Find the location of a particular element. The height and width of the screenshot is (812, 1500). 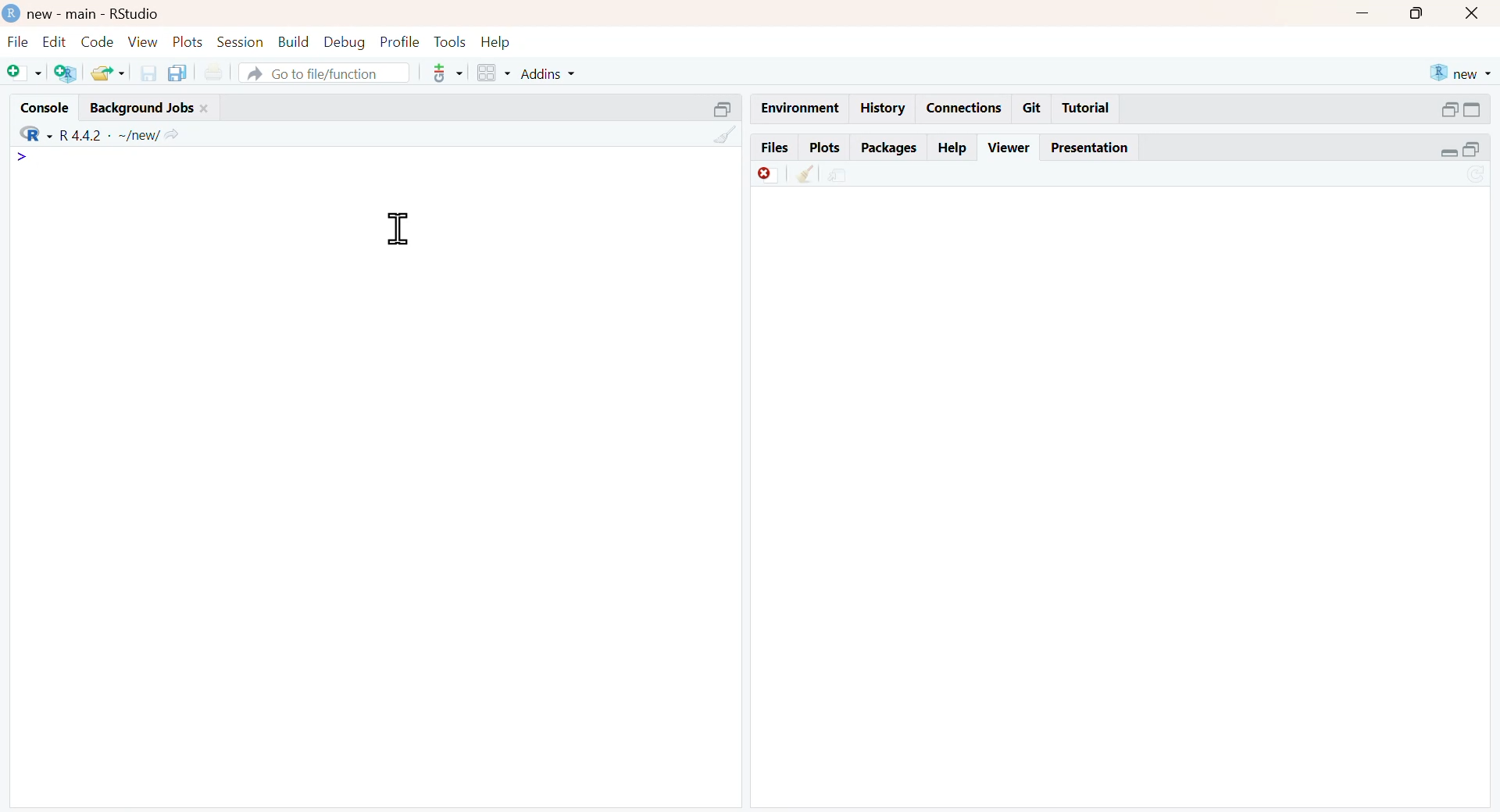

close is located at coordinates (1476, 15).